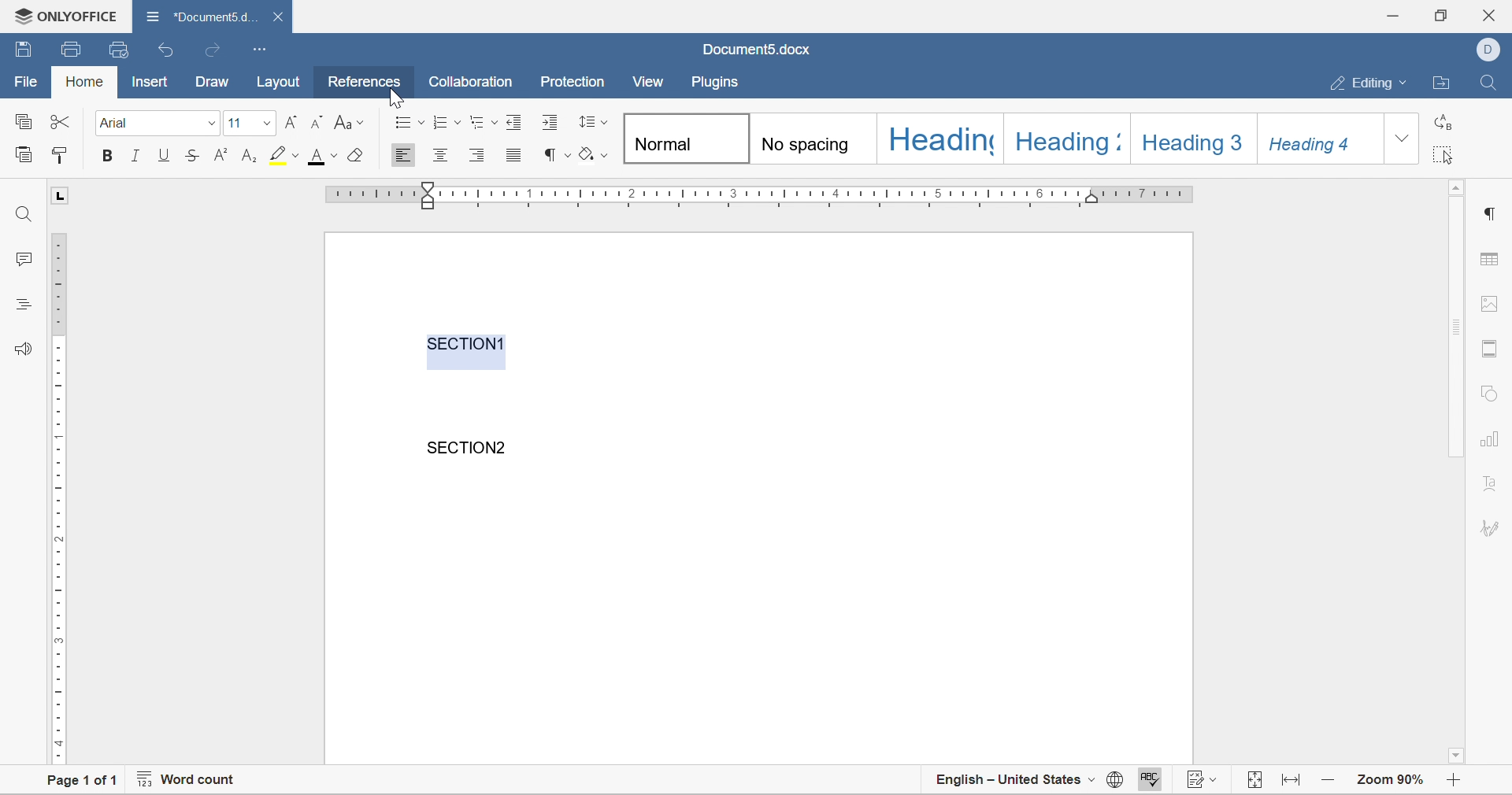 The width and height of the screenshot is (1512, 795). I want to click on nonprinting characters, so click(558, 155).